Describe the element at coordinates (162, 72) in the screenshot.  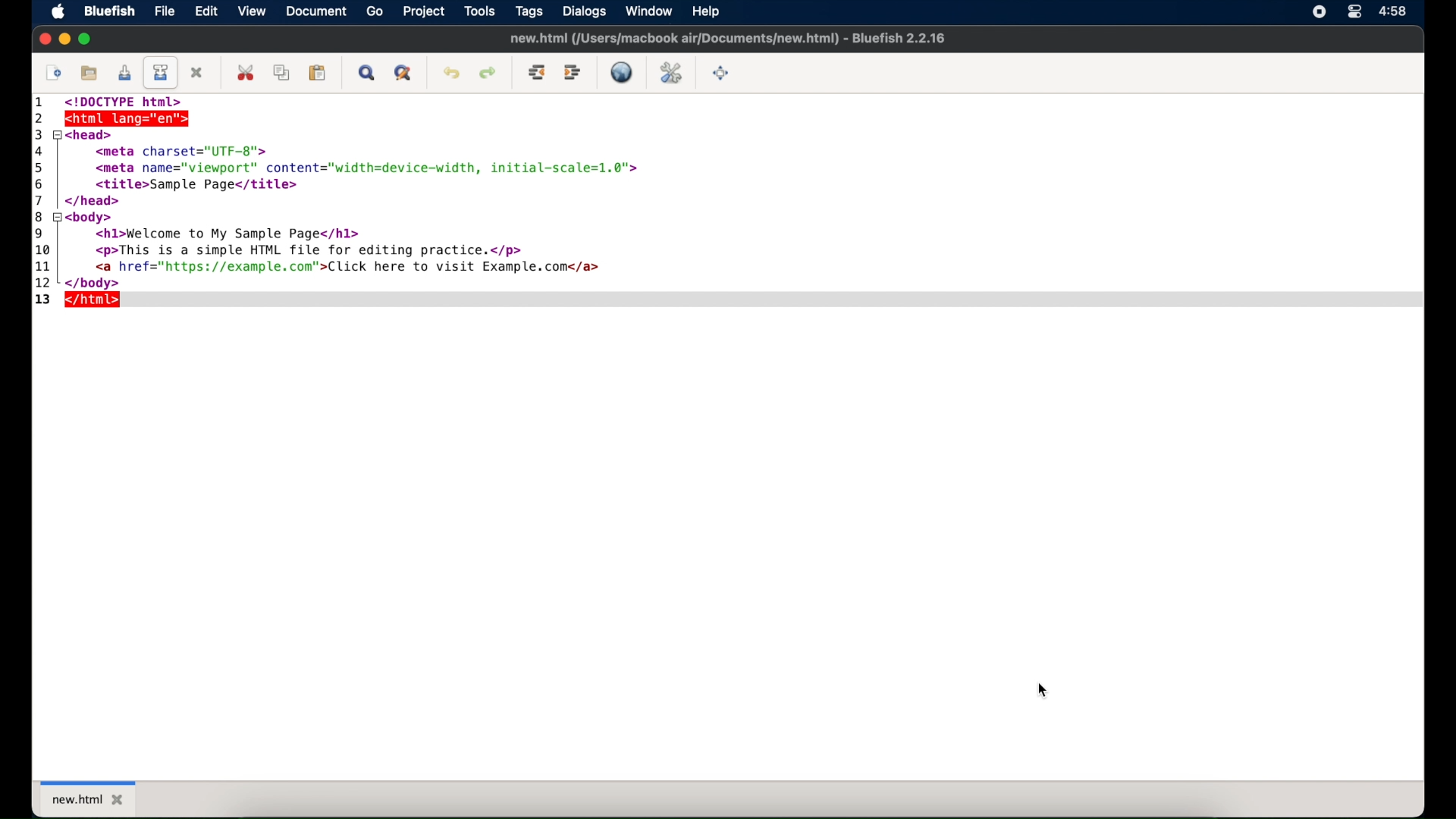
I see `save file as` at that location.